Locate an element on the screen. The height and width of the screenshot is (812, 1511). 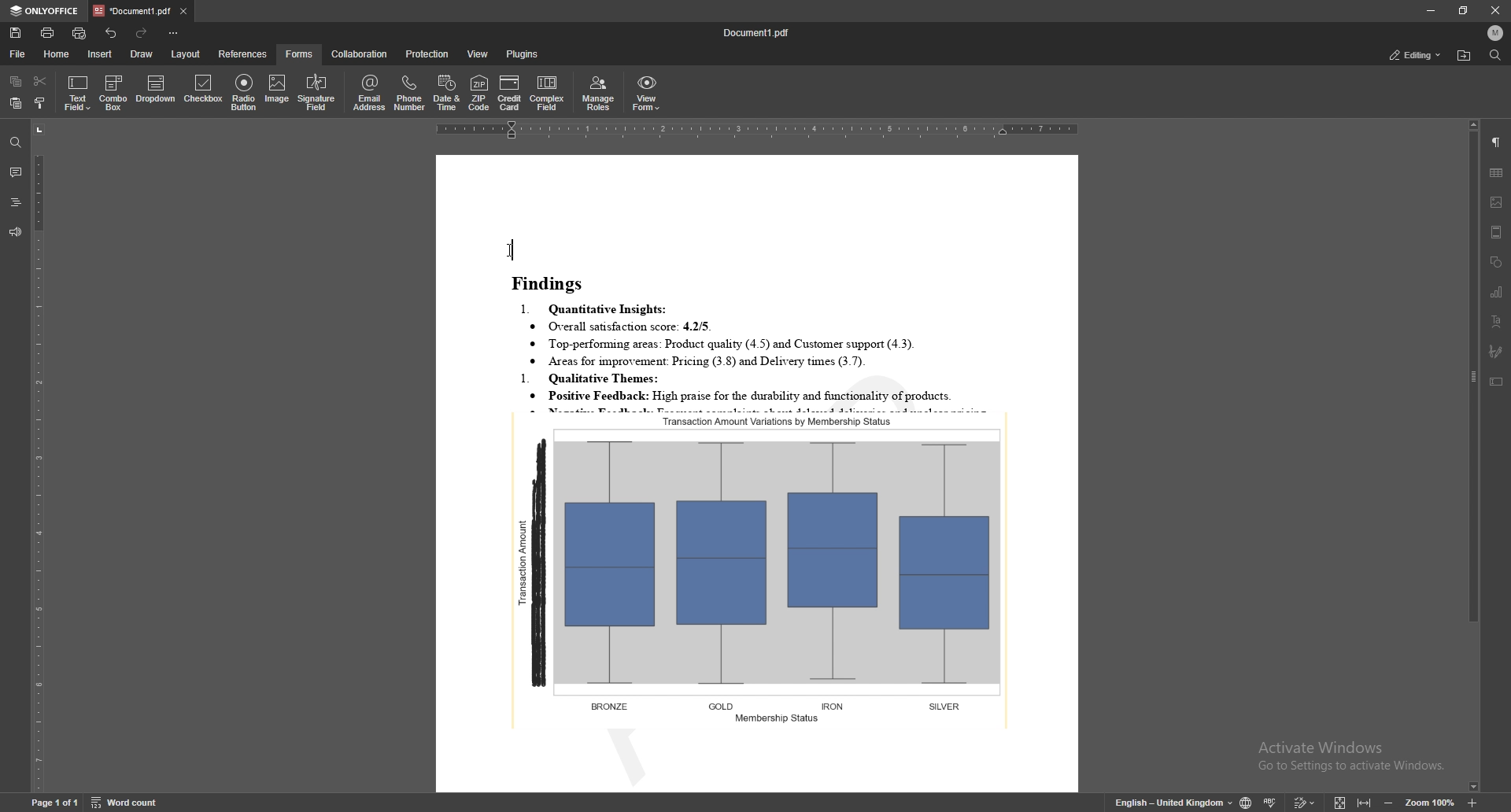
zip code is located at coordinates (479, 94).